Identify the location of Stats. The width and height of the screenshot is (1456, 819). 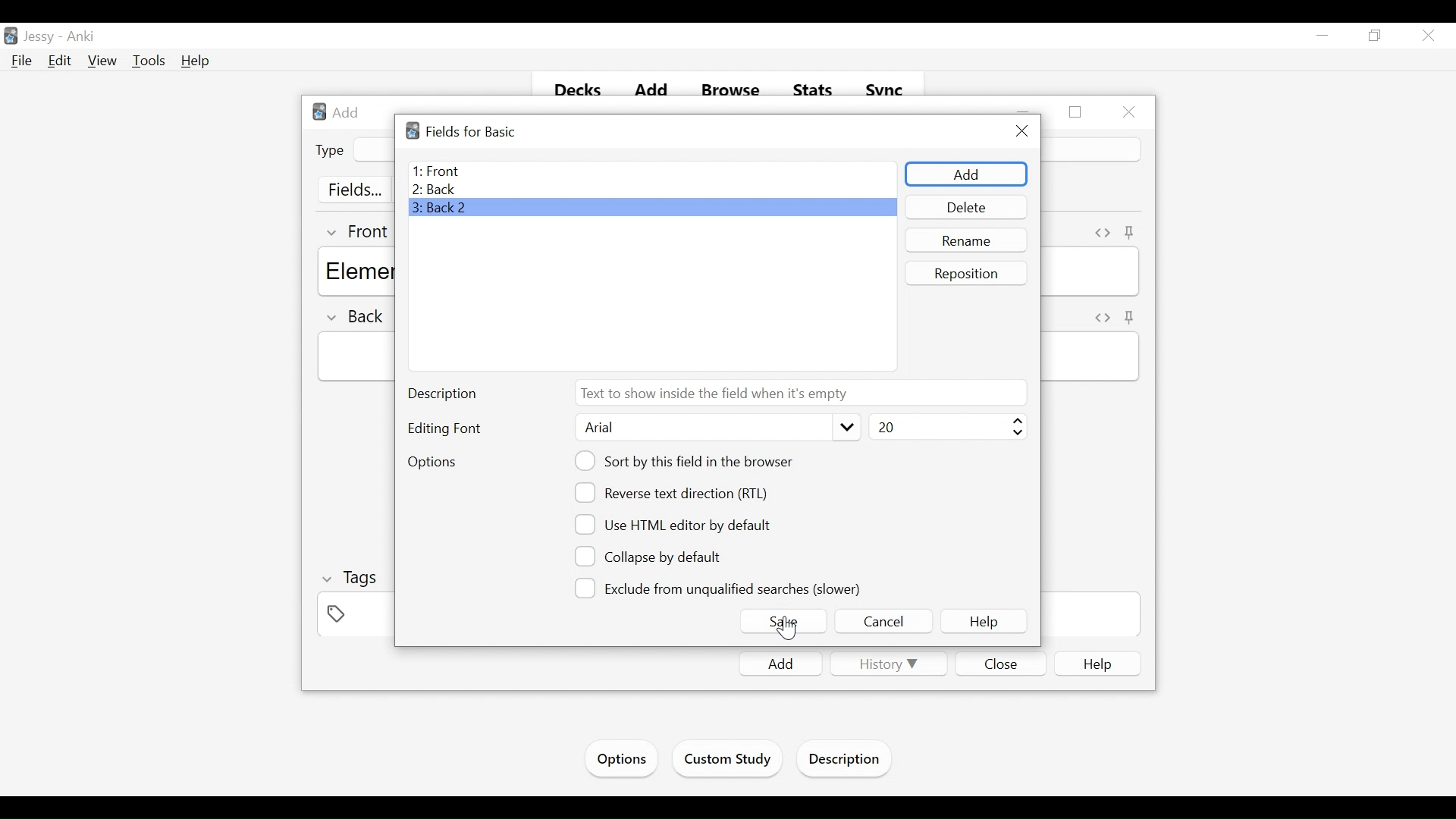
(814, 90).